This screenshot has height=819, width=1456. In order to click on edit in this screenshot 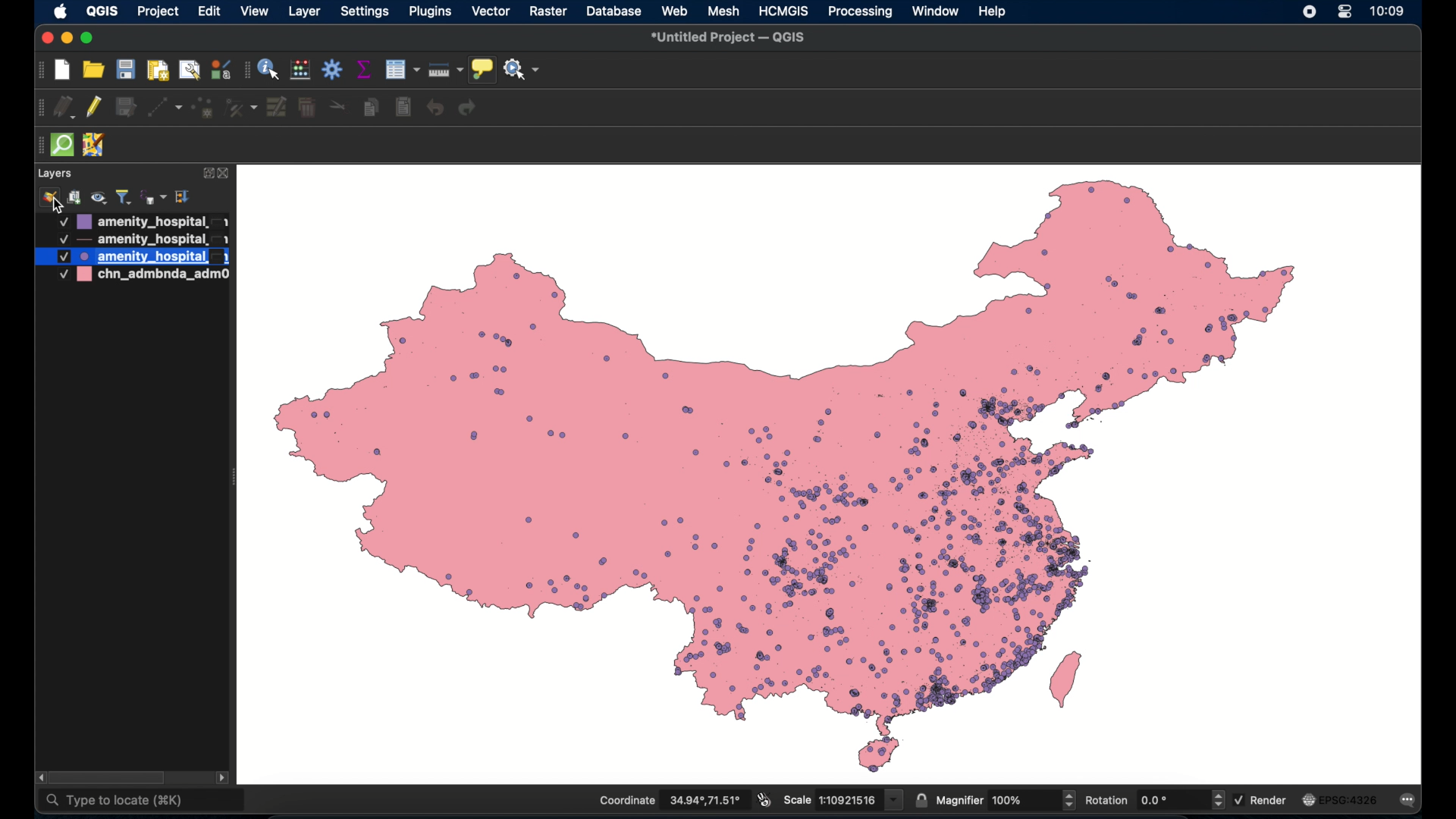, I will do `click(209, 11)`.